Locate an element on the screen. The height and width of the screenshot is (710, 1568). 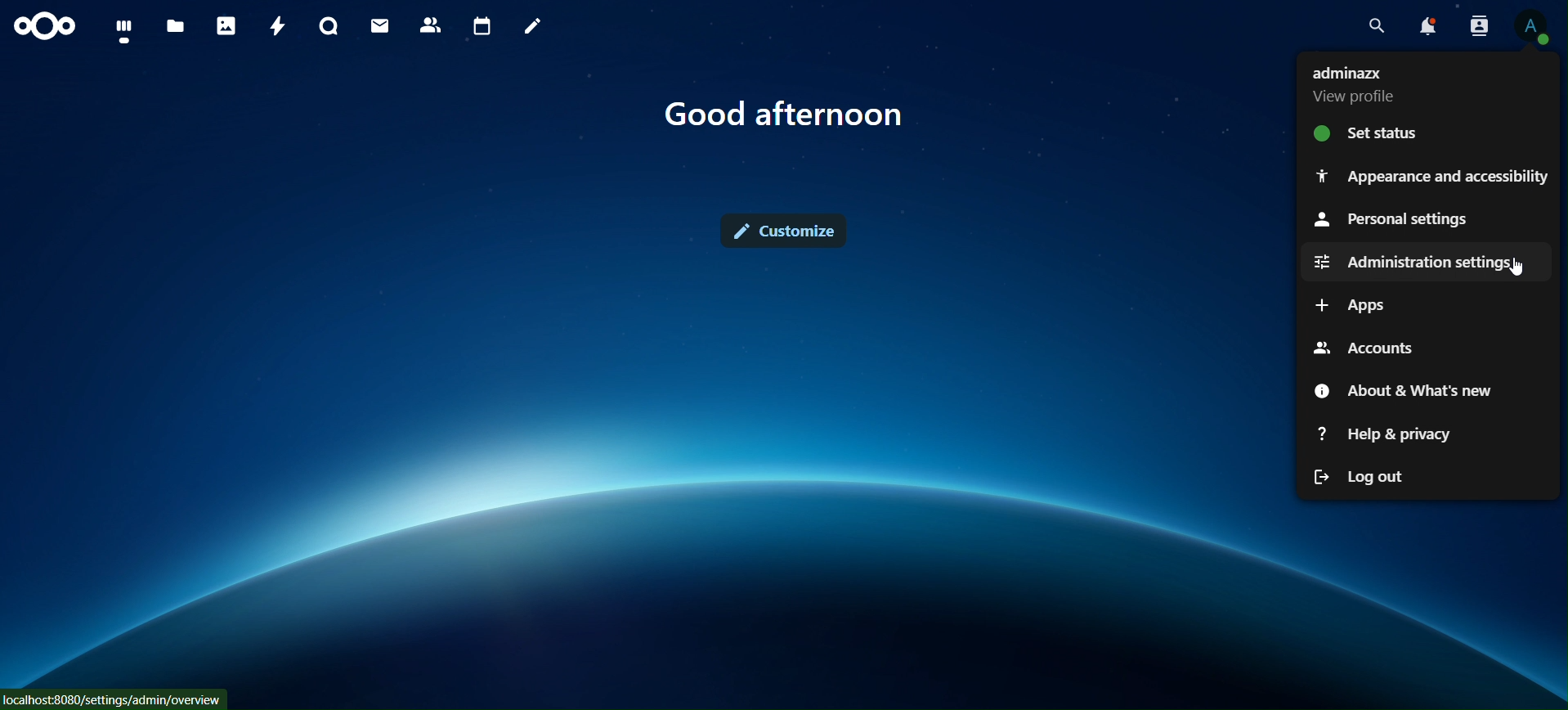
activity is located at coordinates (278, 28).